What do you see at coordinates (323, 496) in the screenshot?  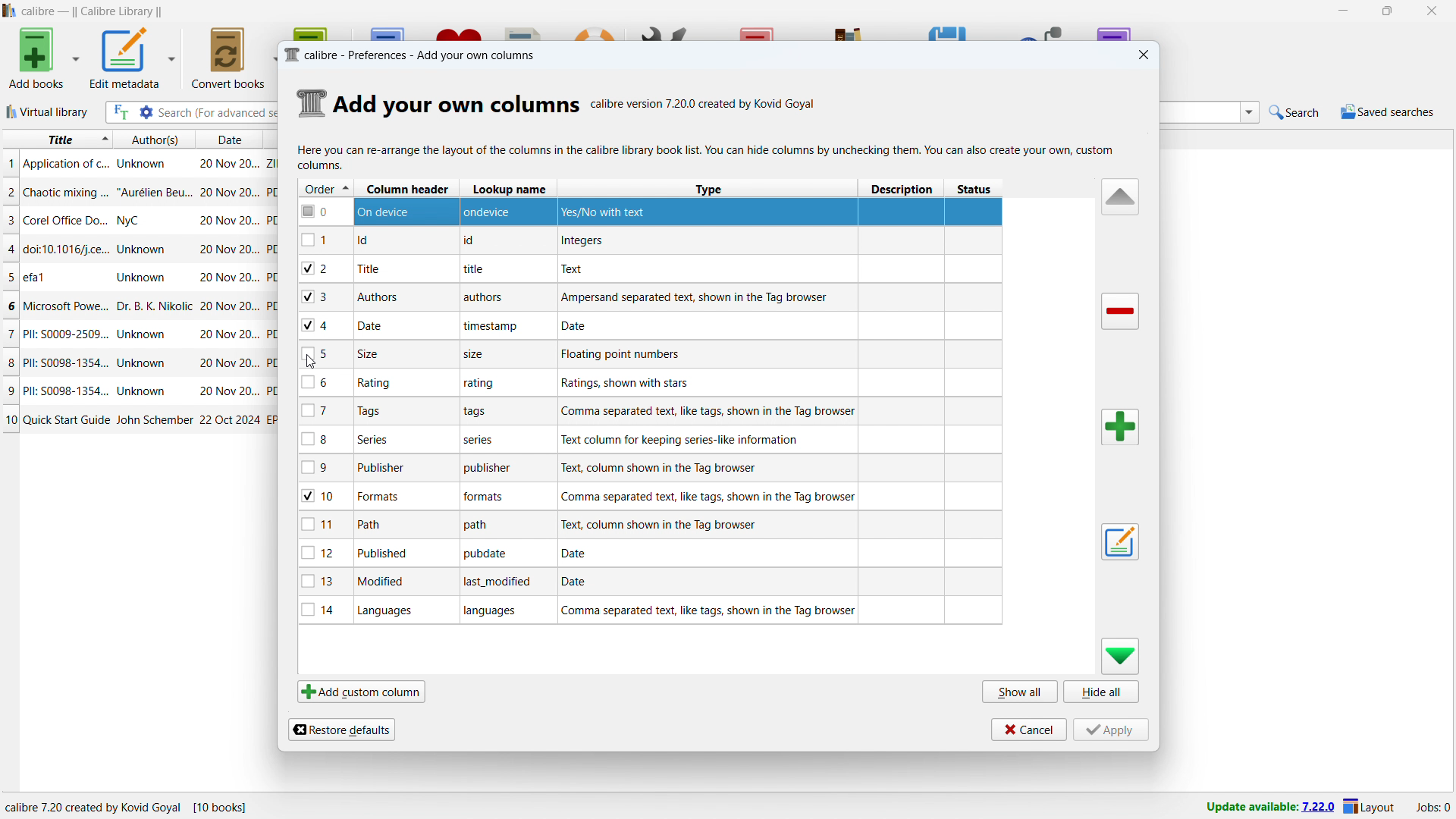 I see `10` at bounding box center [323, 496].